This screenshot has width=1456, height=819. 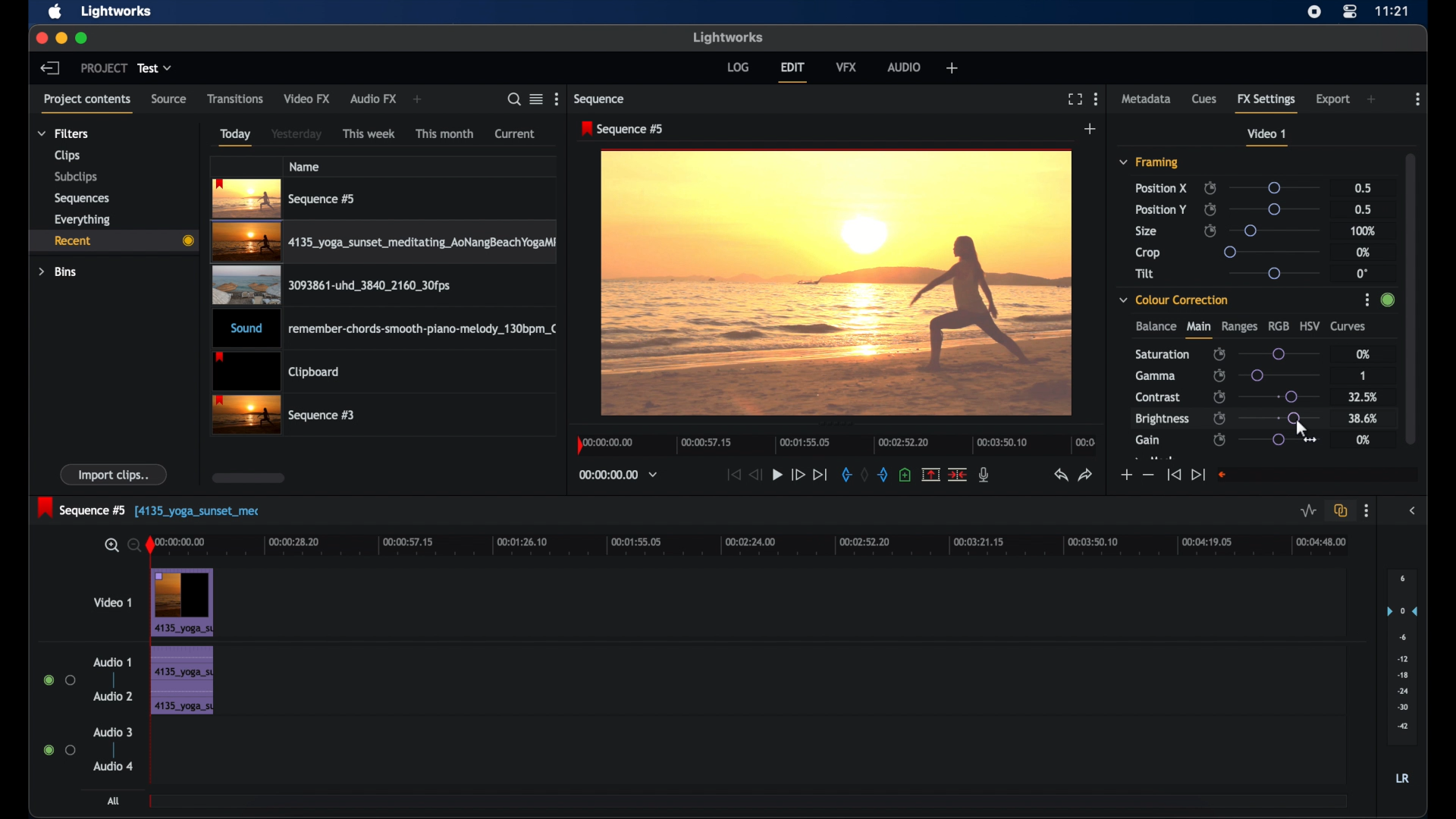 What do you see at coordinates (1148, 253) in the screenshot?
I see `crop` at bounding box center [1148, 253].